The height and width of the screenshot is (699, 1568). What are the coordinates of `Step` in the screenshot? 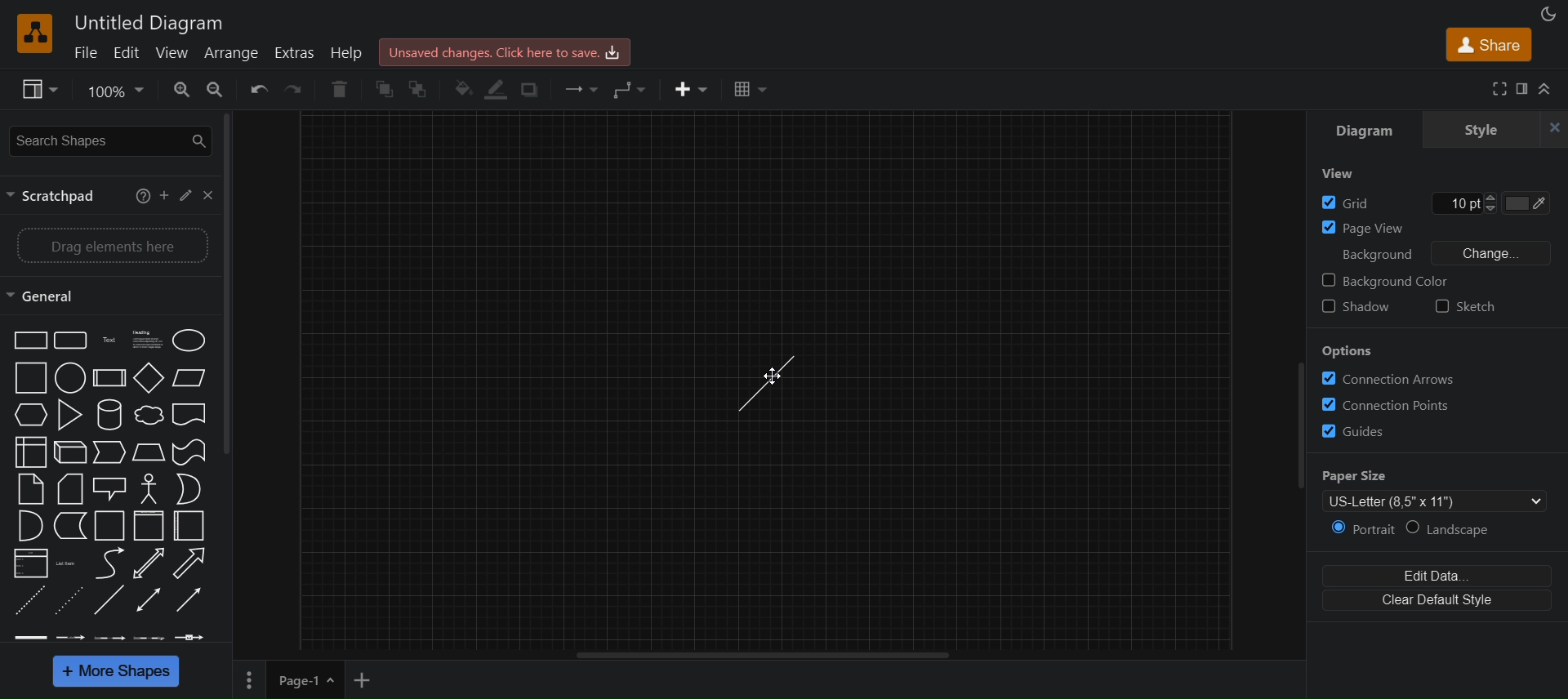 It's located at (109, 453).